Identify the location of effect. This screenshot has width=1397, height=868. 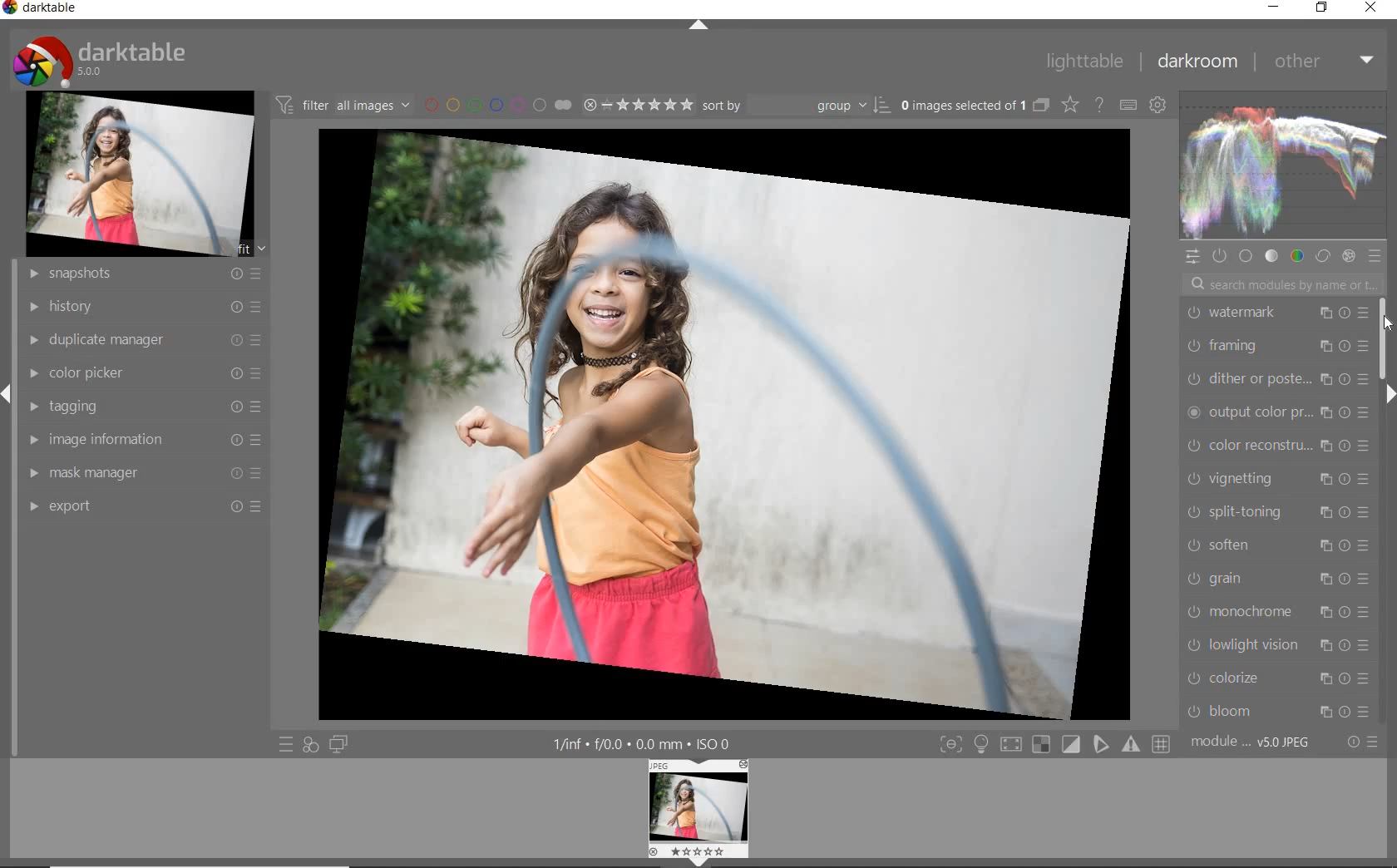
(1350, 258).